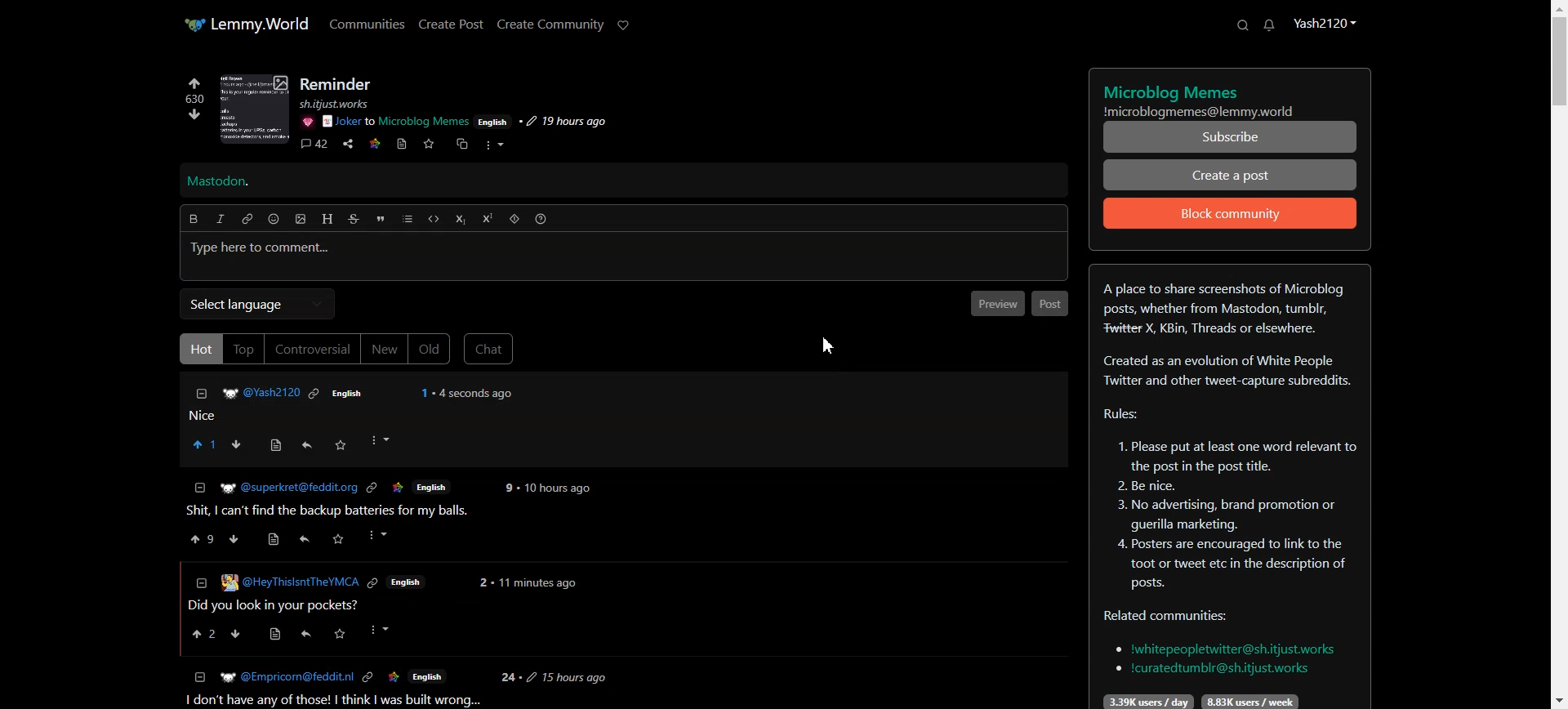 This screenshot has height=709, width=1568. What do you see at coordinates (316, 392) in the screenshot?
I see `` at bounding box center [316, 392].